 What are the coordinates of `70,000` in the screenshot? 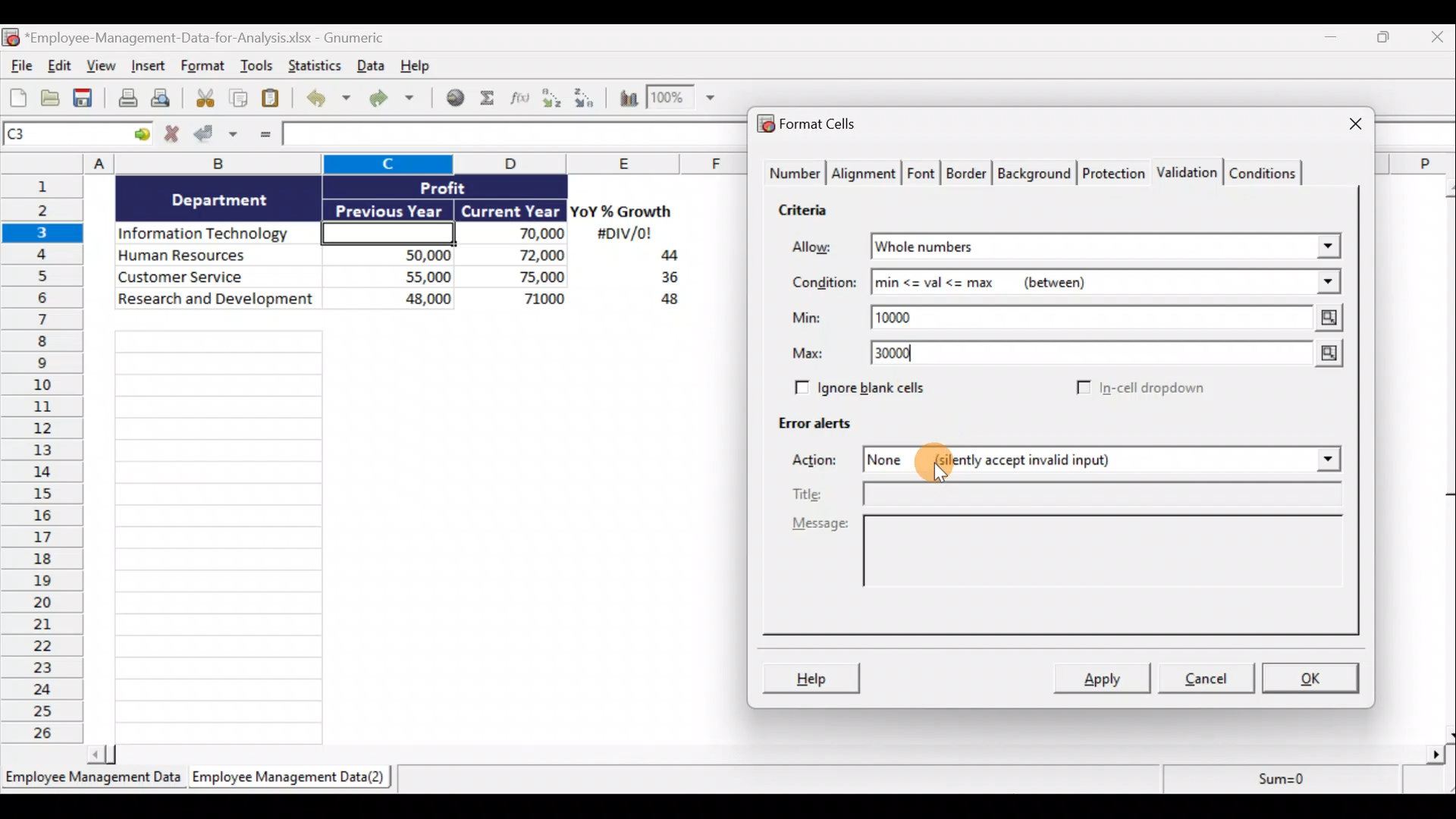 It's located at (519, 234).